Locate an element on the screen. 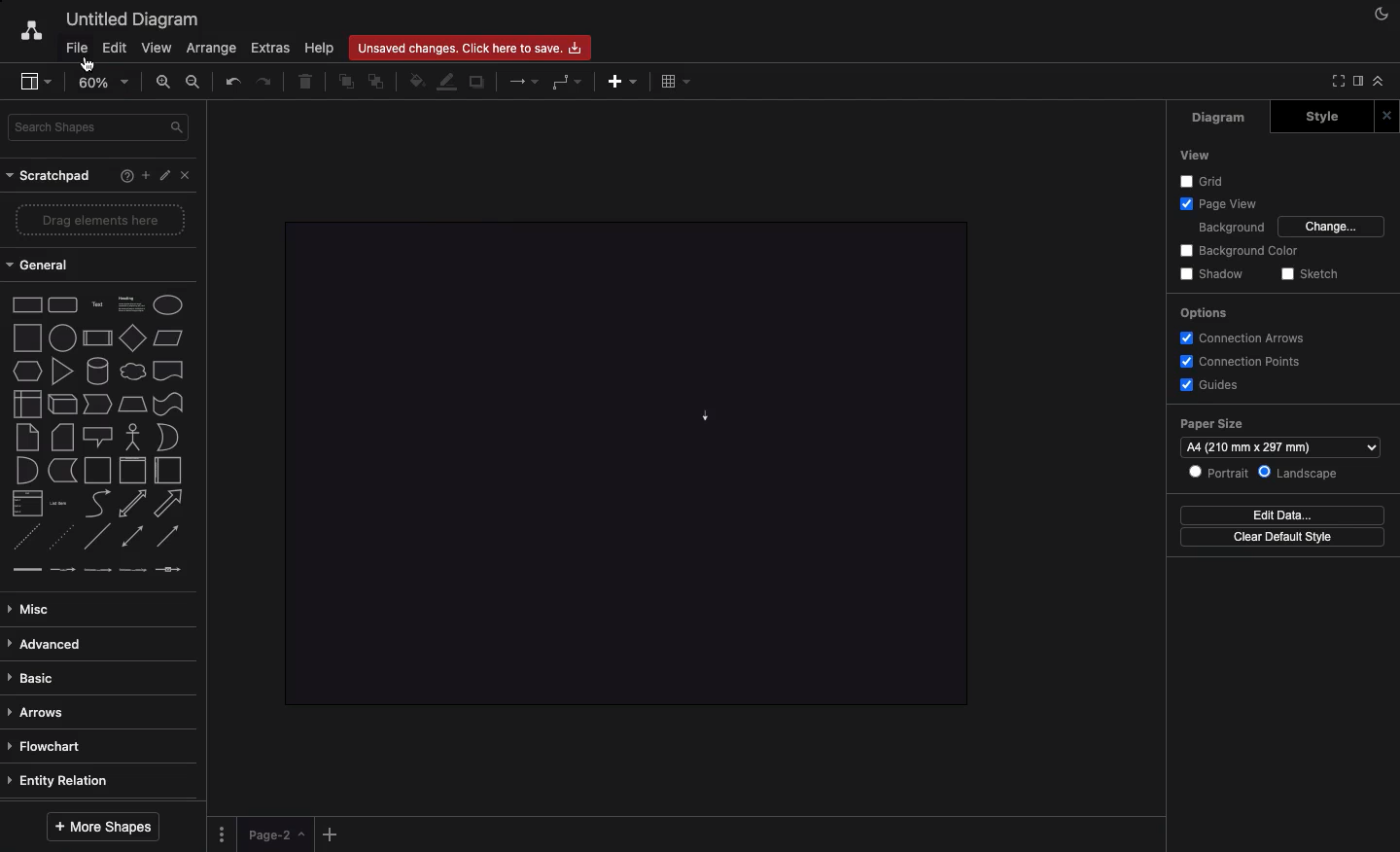 The image size is (1400, 852). Connection arrows is located at coordinates (1247, 337).